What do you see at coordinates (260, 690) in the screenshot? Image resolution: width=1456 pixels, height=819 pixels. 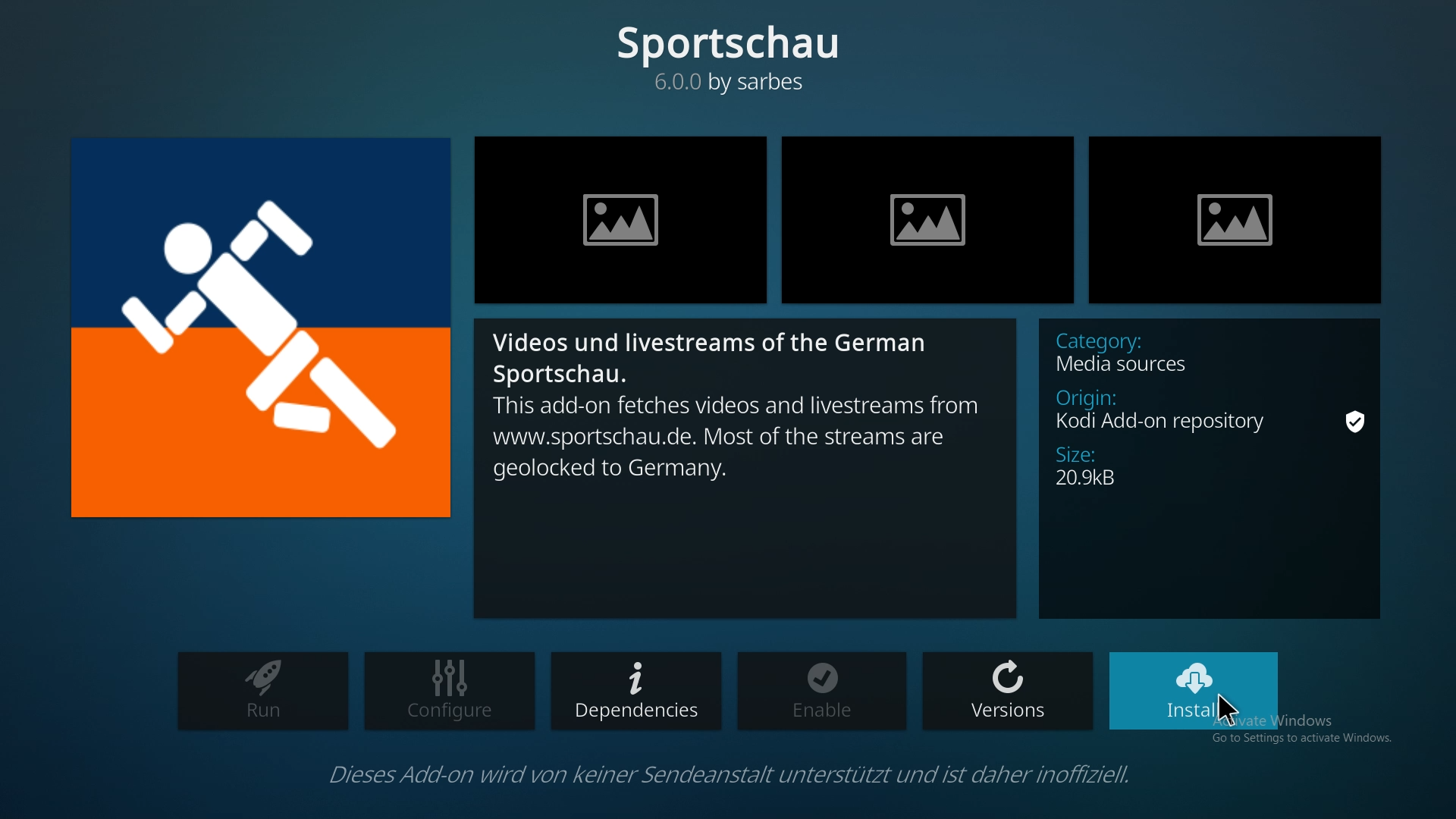 I see `run` at bounding box center [260, 690].